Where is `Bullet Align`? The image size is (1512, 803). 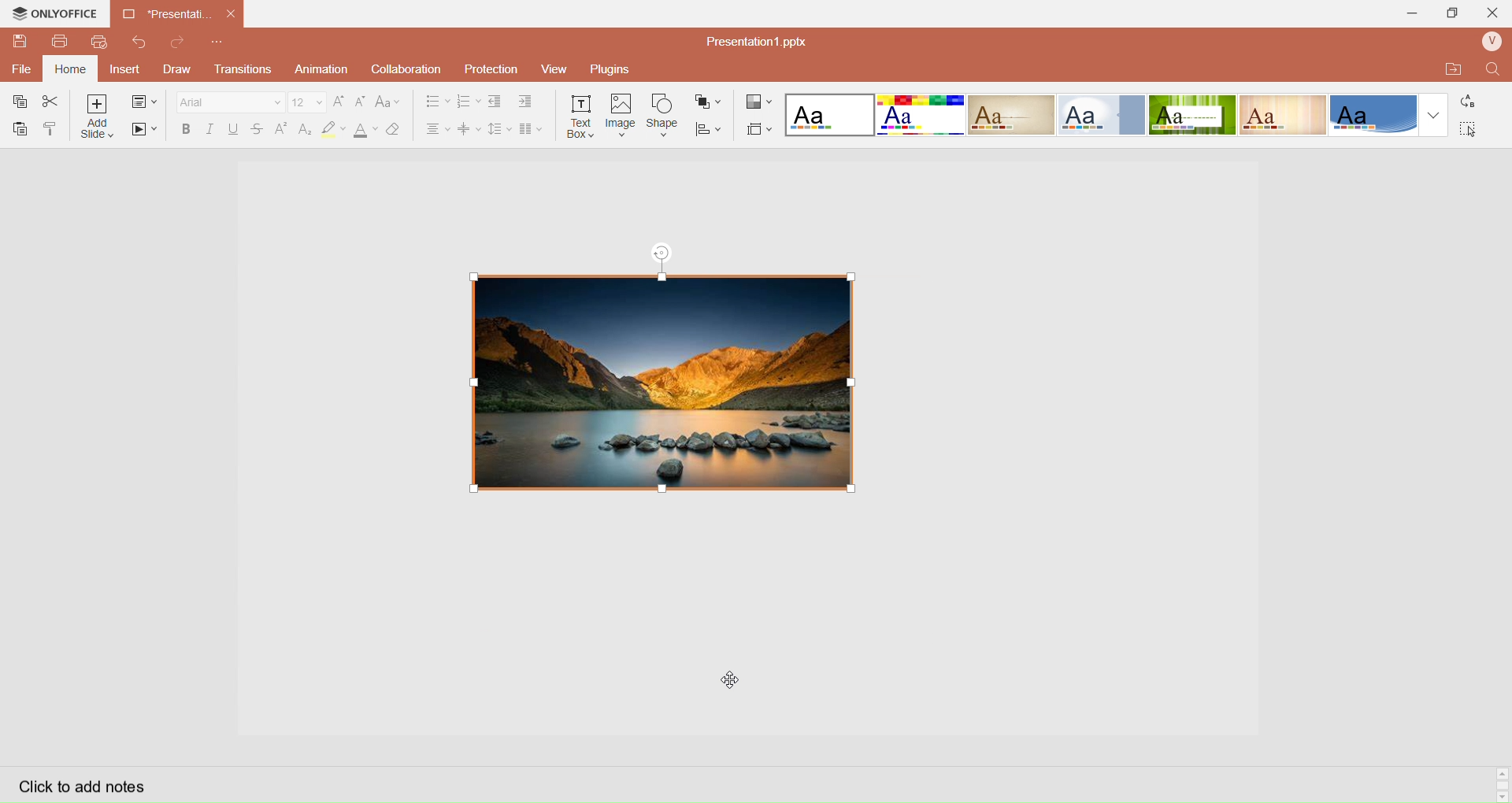
Bullet Align is located at coordinates (436, 102).